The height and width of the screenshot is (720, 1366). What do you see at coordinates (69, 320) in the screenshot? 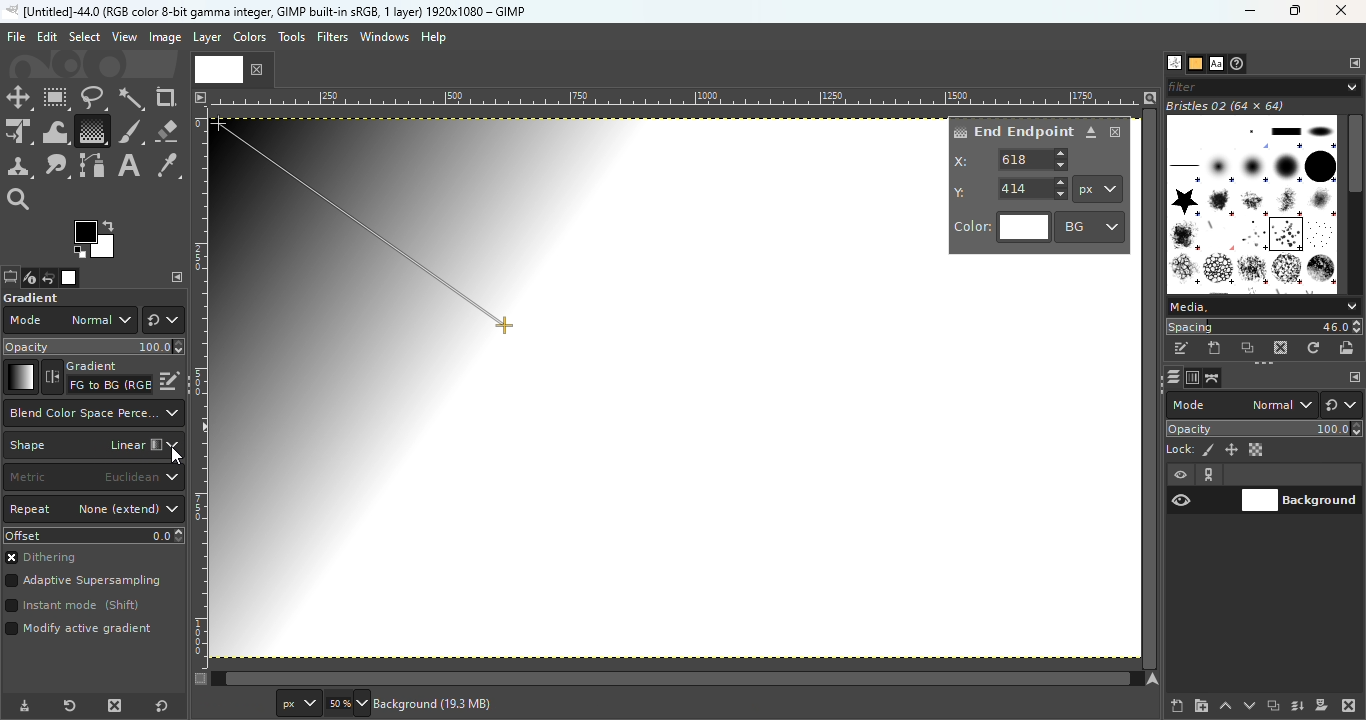
I see `Mode` at bounding box center [69, 320].